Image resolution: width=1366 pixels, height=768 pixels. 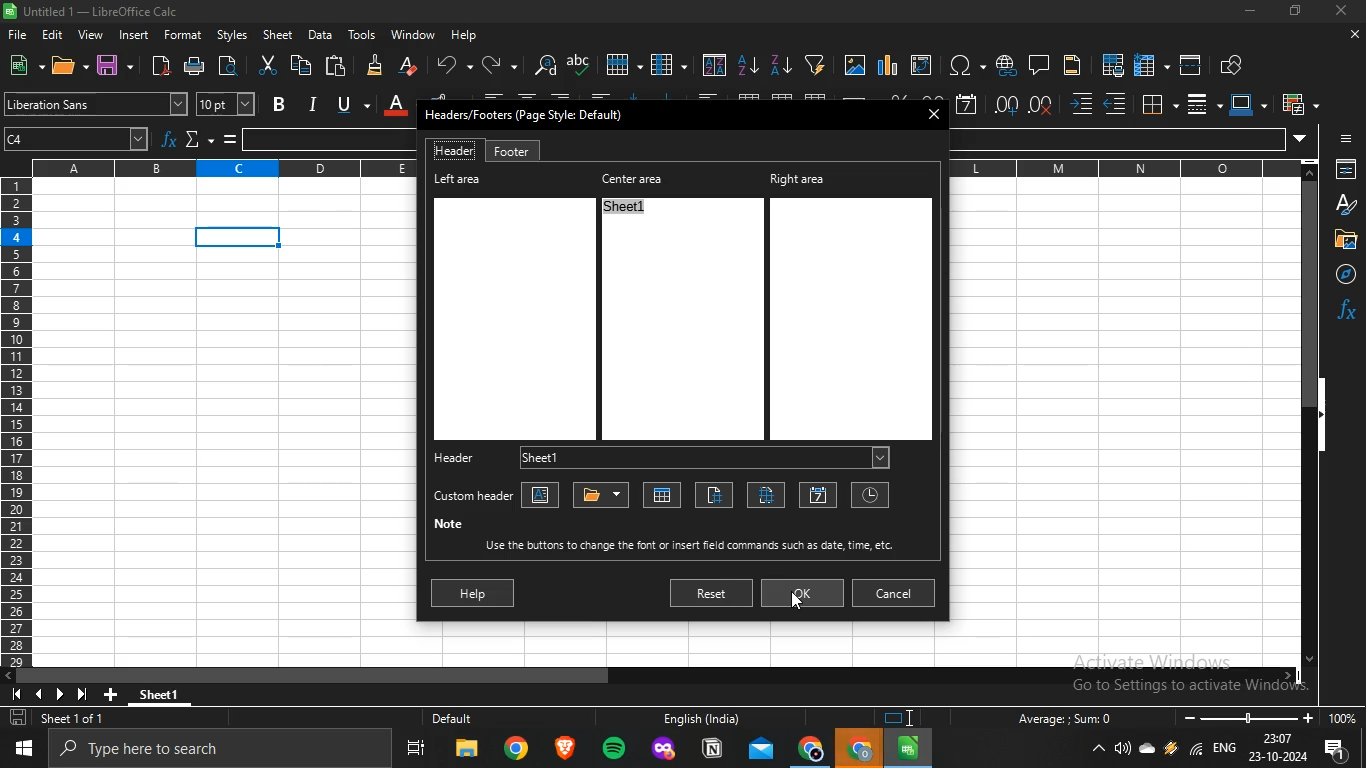 I want to click on center area, so click(x=680, y=302).